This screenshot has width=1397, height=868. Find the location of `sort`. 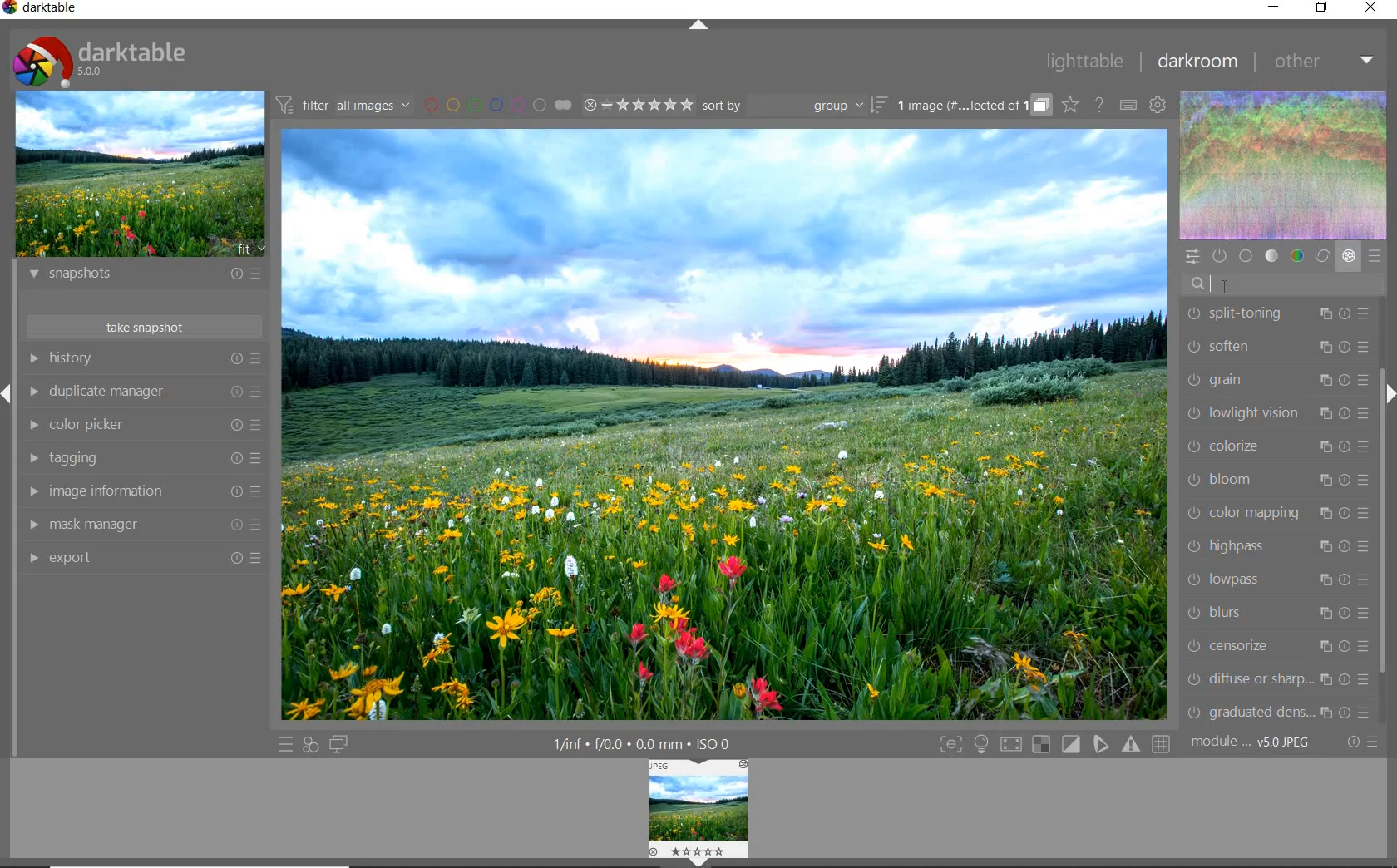

sort is located at coordinates (793, 107).